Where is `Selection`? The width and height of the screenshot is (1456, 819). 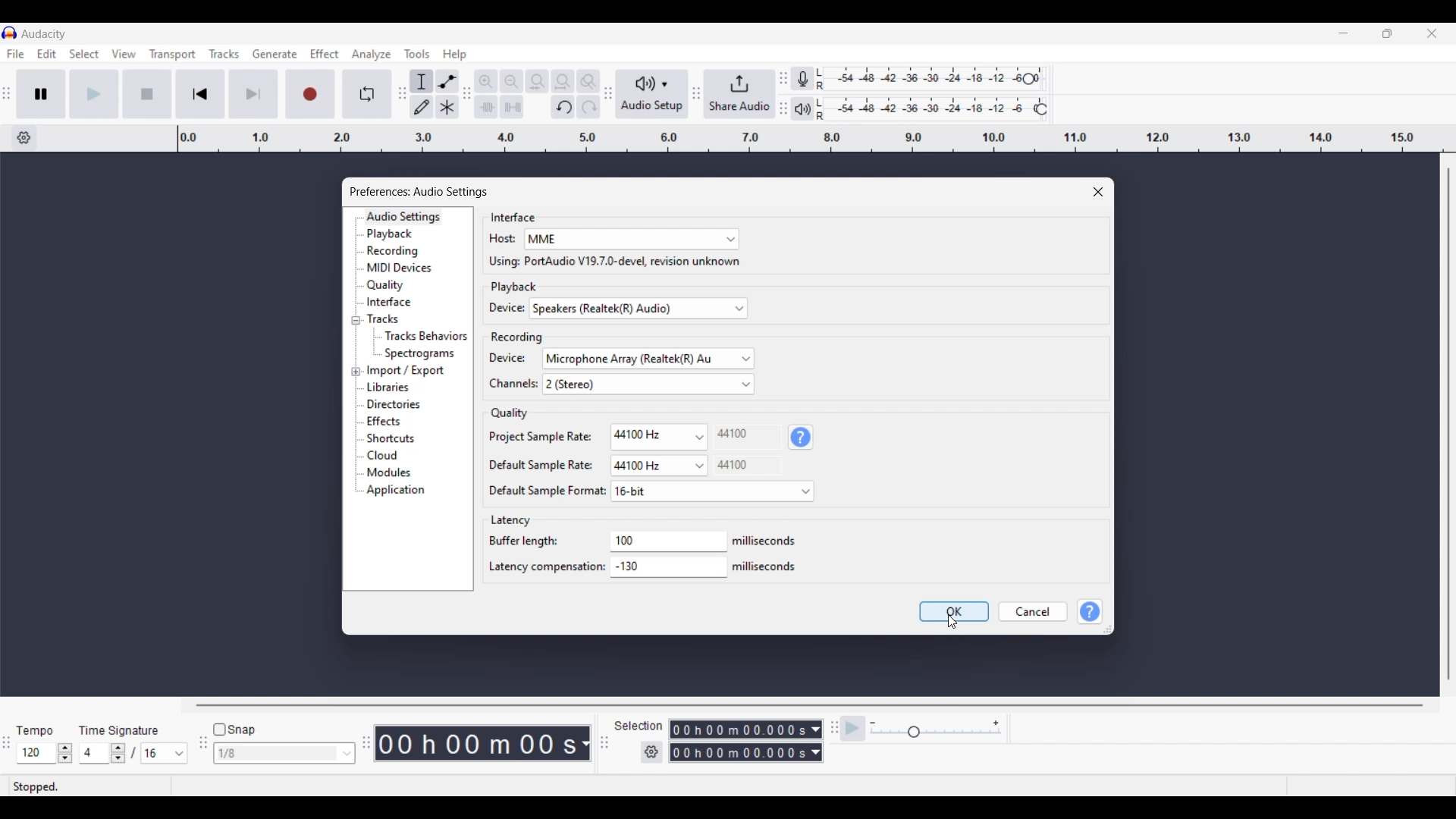 Selection is located at coordinates (637, 726).